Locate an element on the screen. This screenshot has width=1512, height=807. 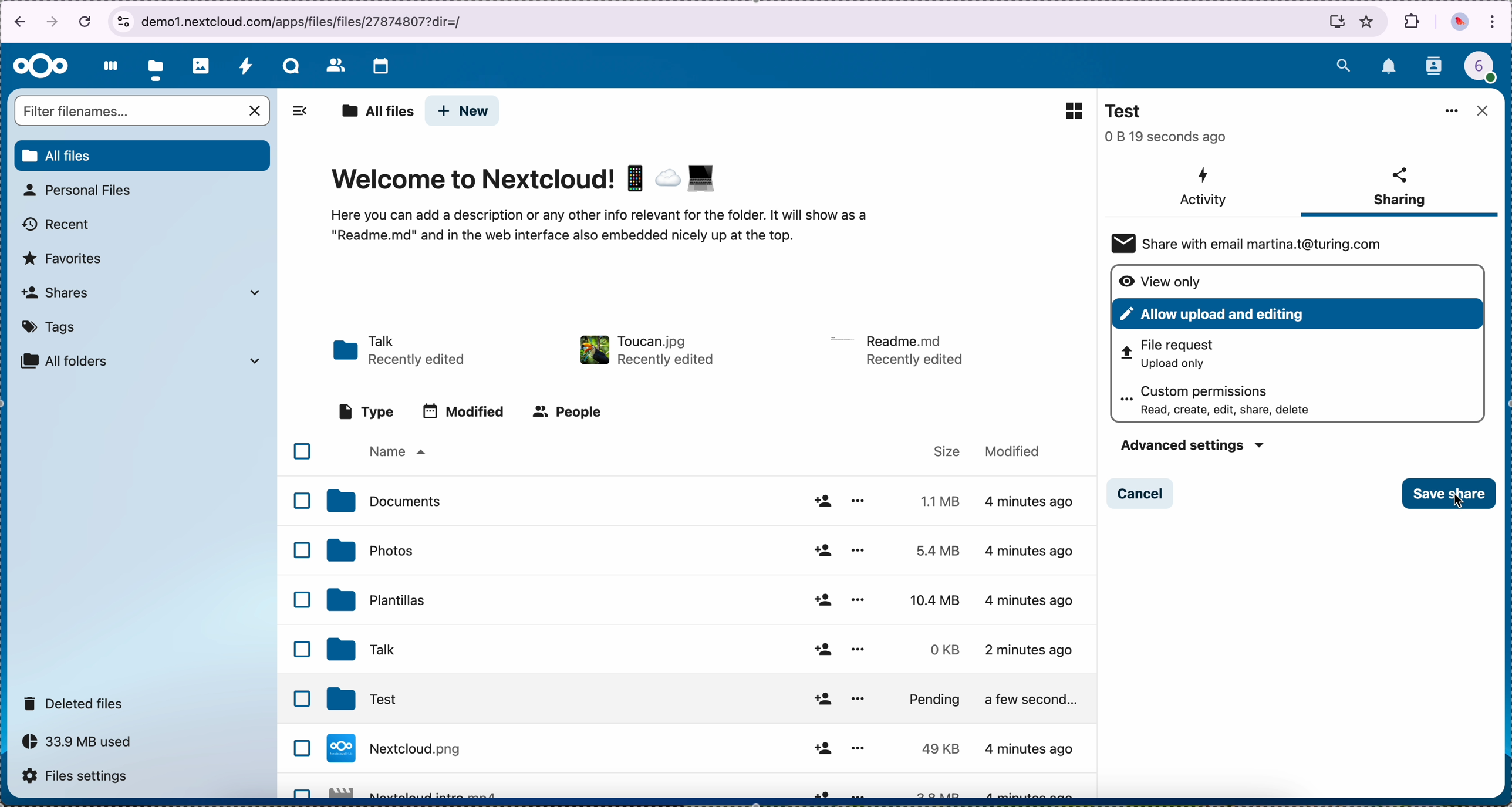
shares is located at coordinates (140, 292).